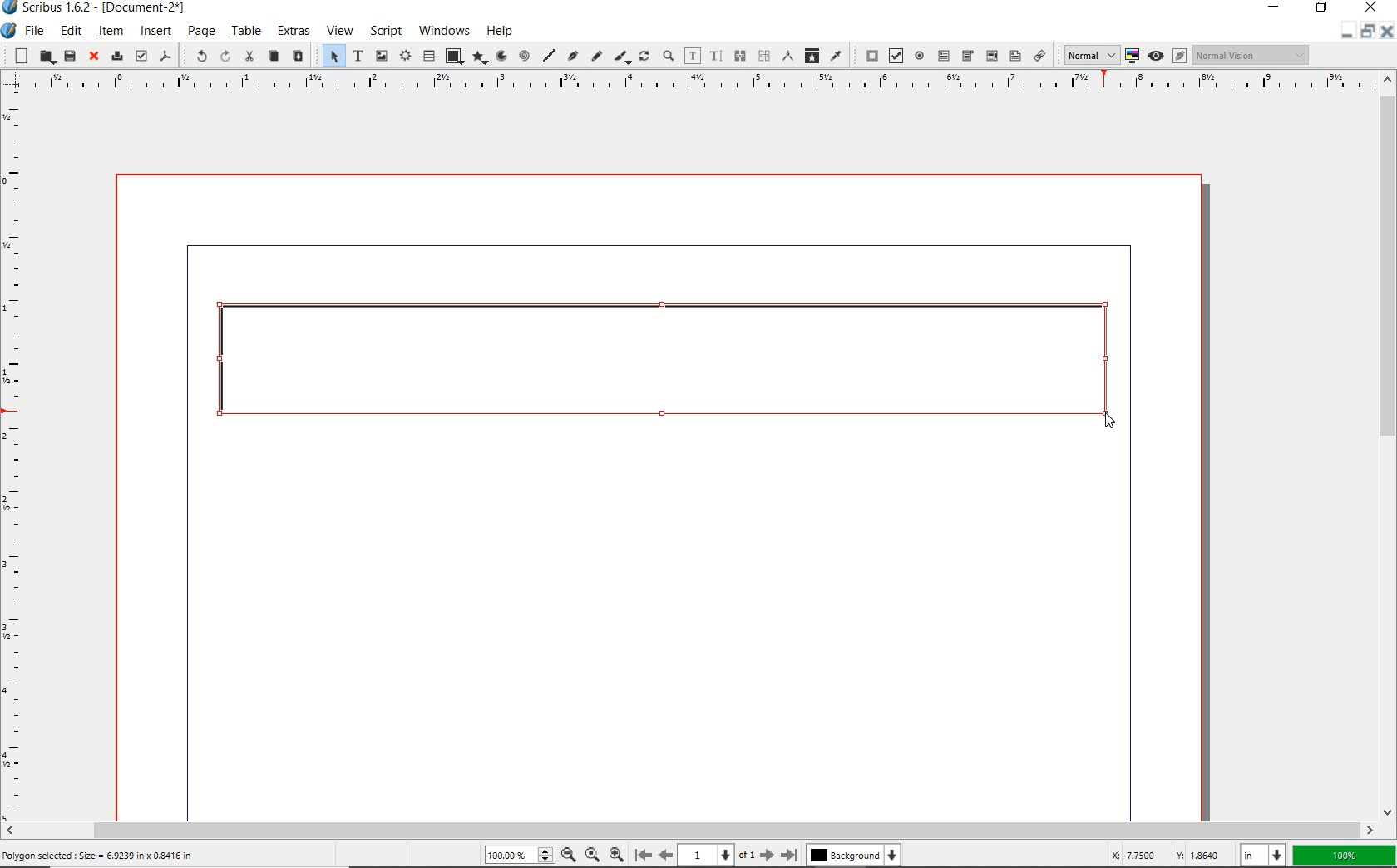 This screenshot has height=868, width=1397. Describe the element at coordinates (17, 55) in the screenshot. I see `new` at that location.